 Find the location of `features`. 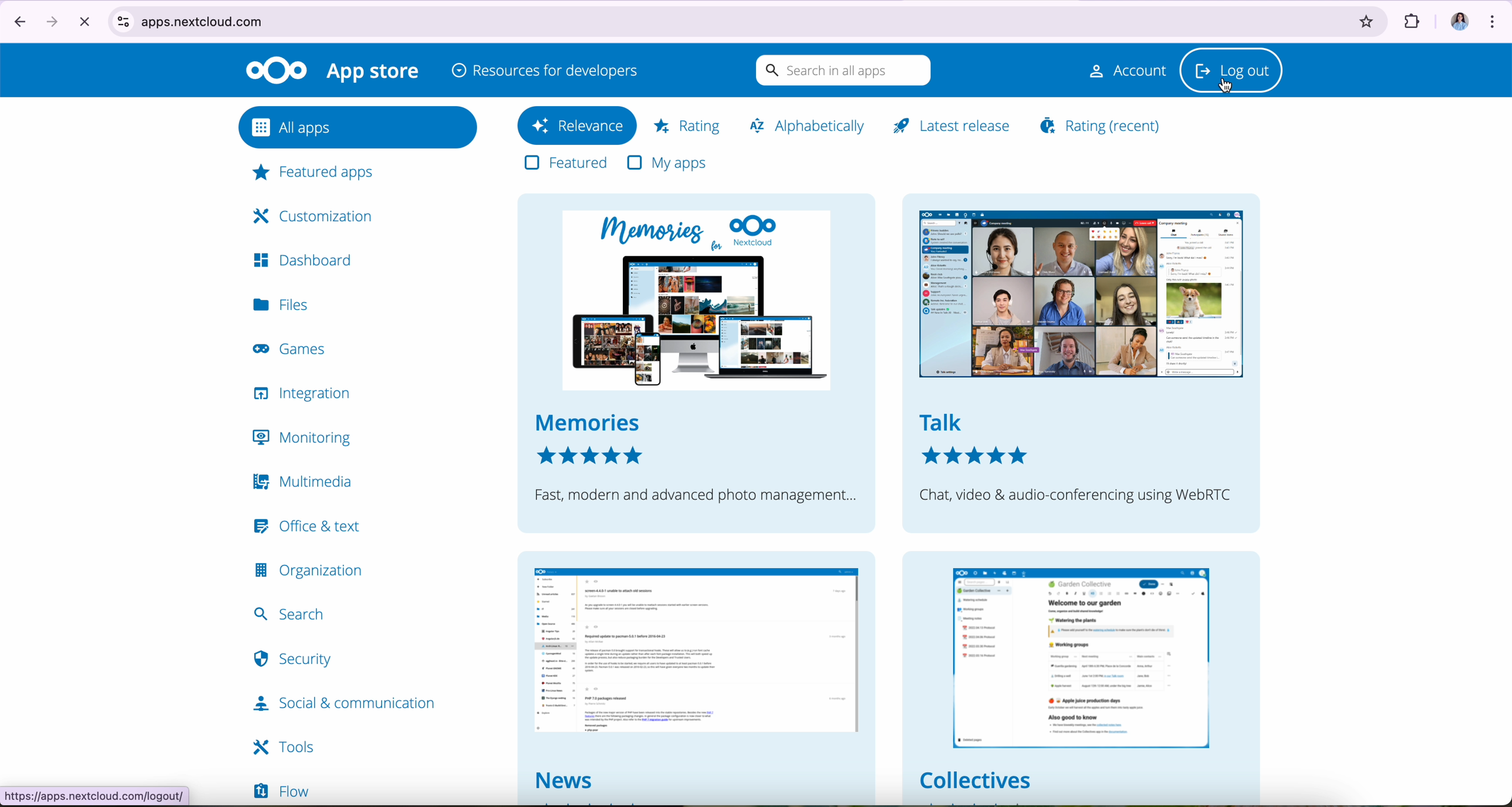

features is located at coordinates (565, 163).